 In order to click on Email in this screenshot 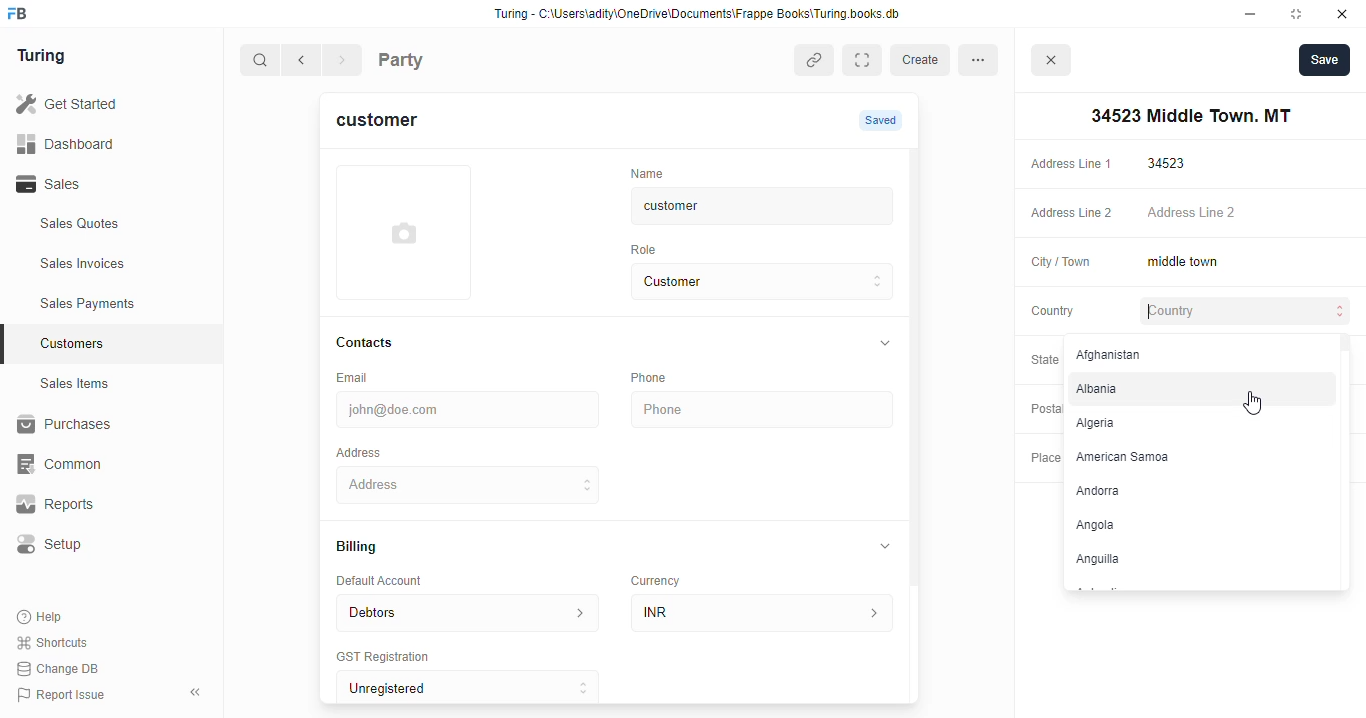, I will do `click(356, 376)`.